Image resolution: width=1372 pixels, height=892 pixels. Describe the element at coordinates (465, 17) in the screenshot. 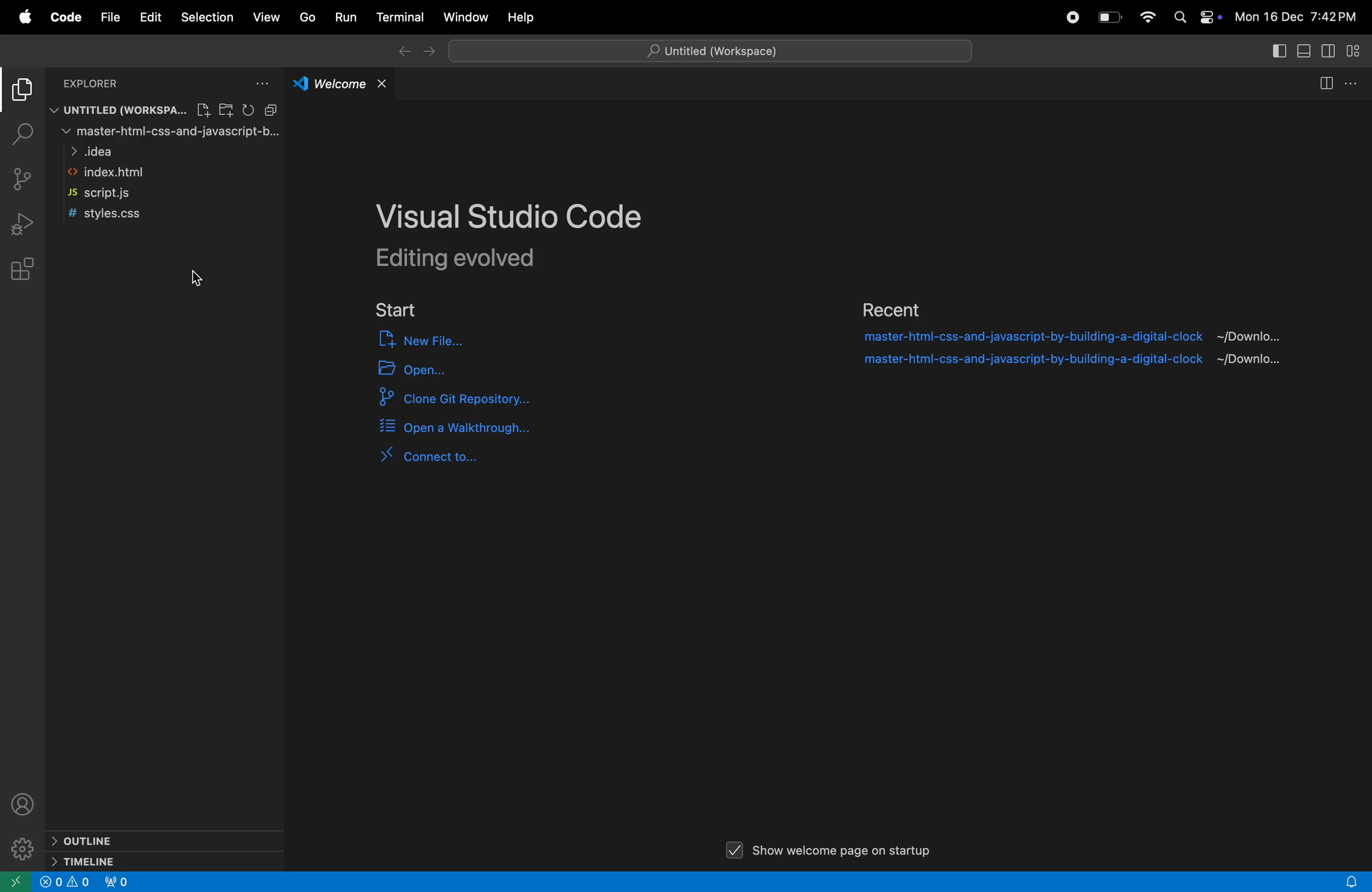

I see `Window` at that location.